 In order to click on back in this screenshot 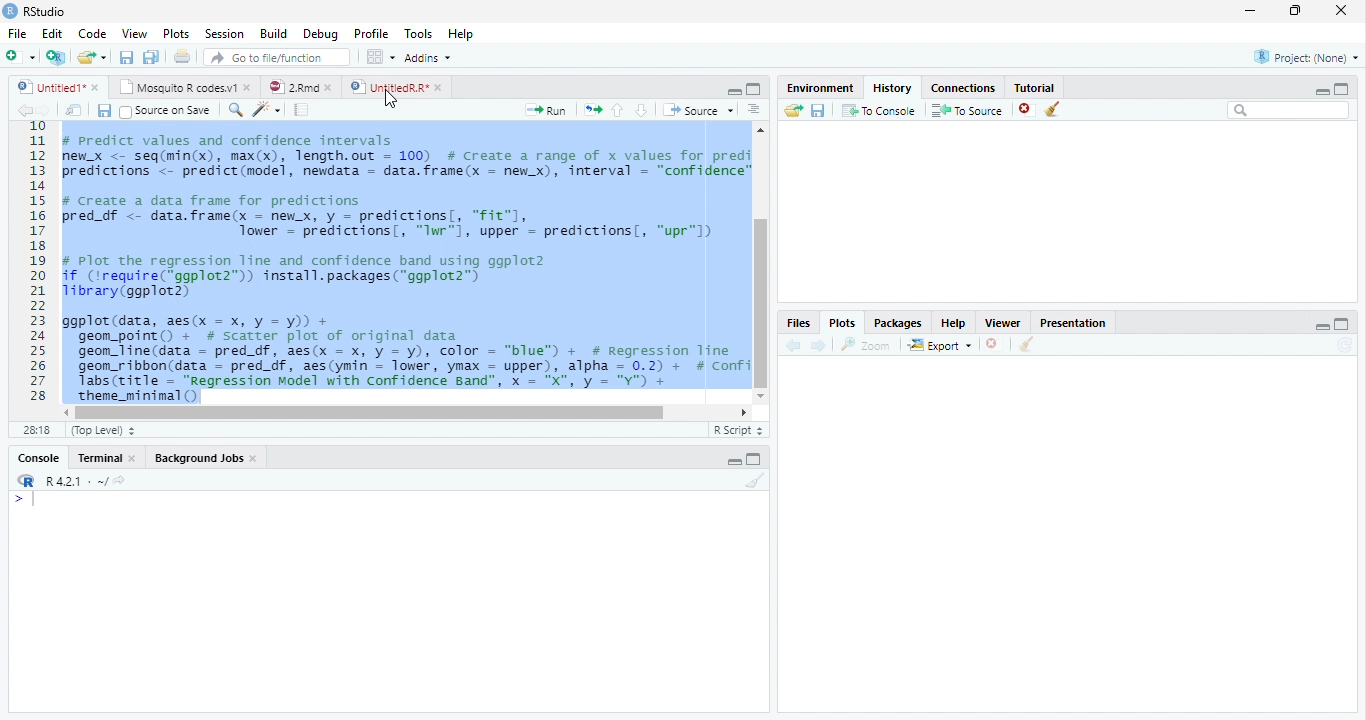, I will do `click(22, 111)`.